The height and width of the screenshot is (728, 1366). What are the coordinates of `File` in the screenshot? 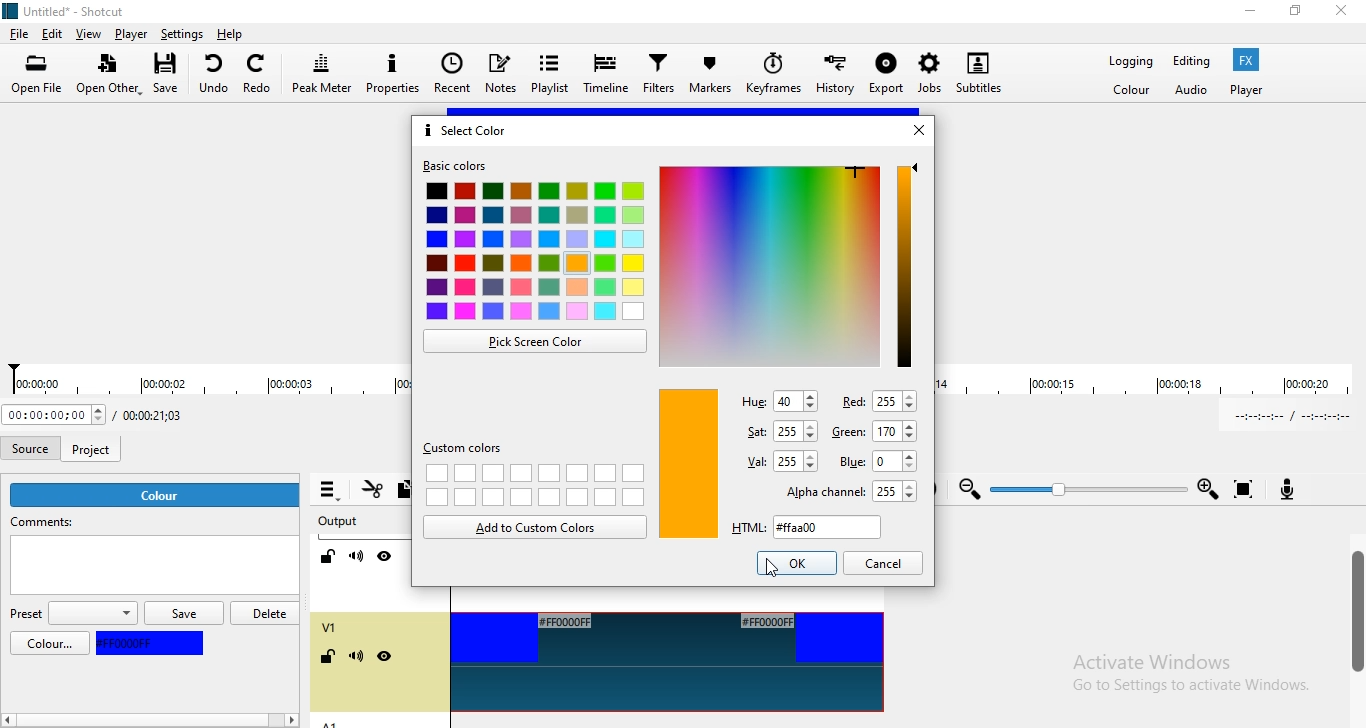 It's located at (18, 34).